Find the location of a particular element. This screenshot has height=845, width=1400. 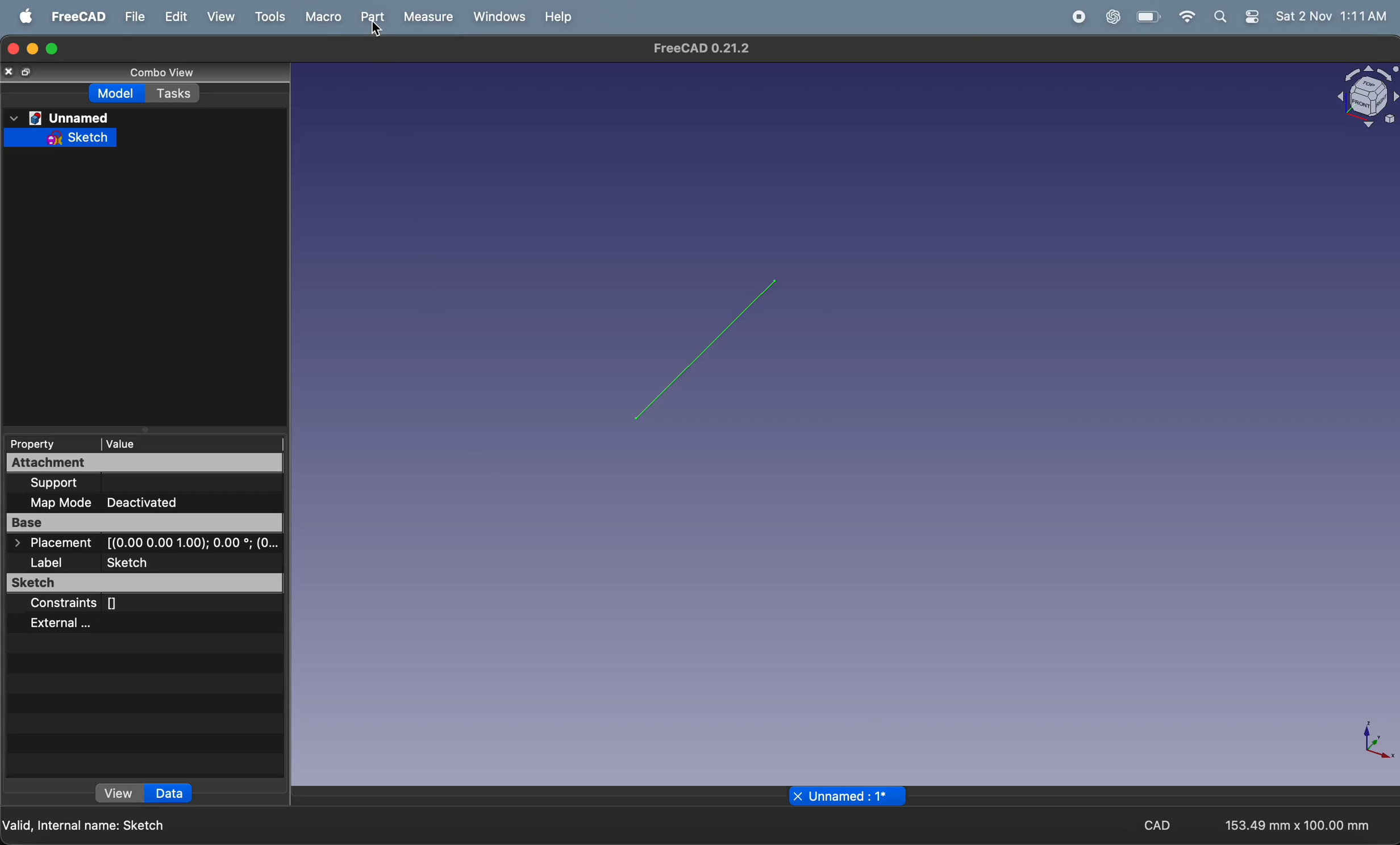

external... is located at coordinates (64, 625).